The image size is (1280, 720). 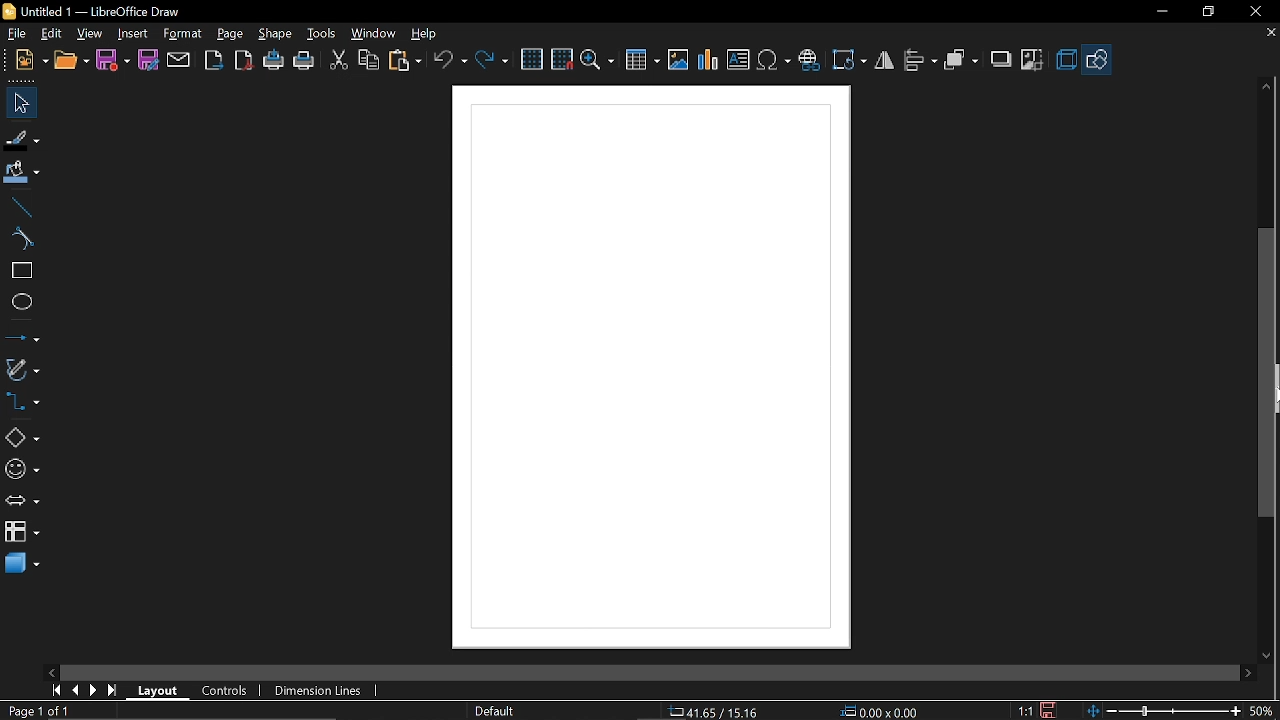 I want to click on insert, so click(x=135, y=33).